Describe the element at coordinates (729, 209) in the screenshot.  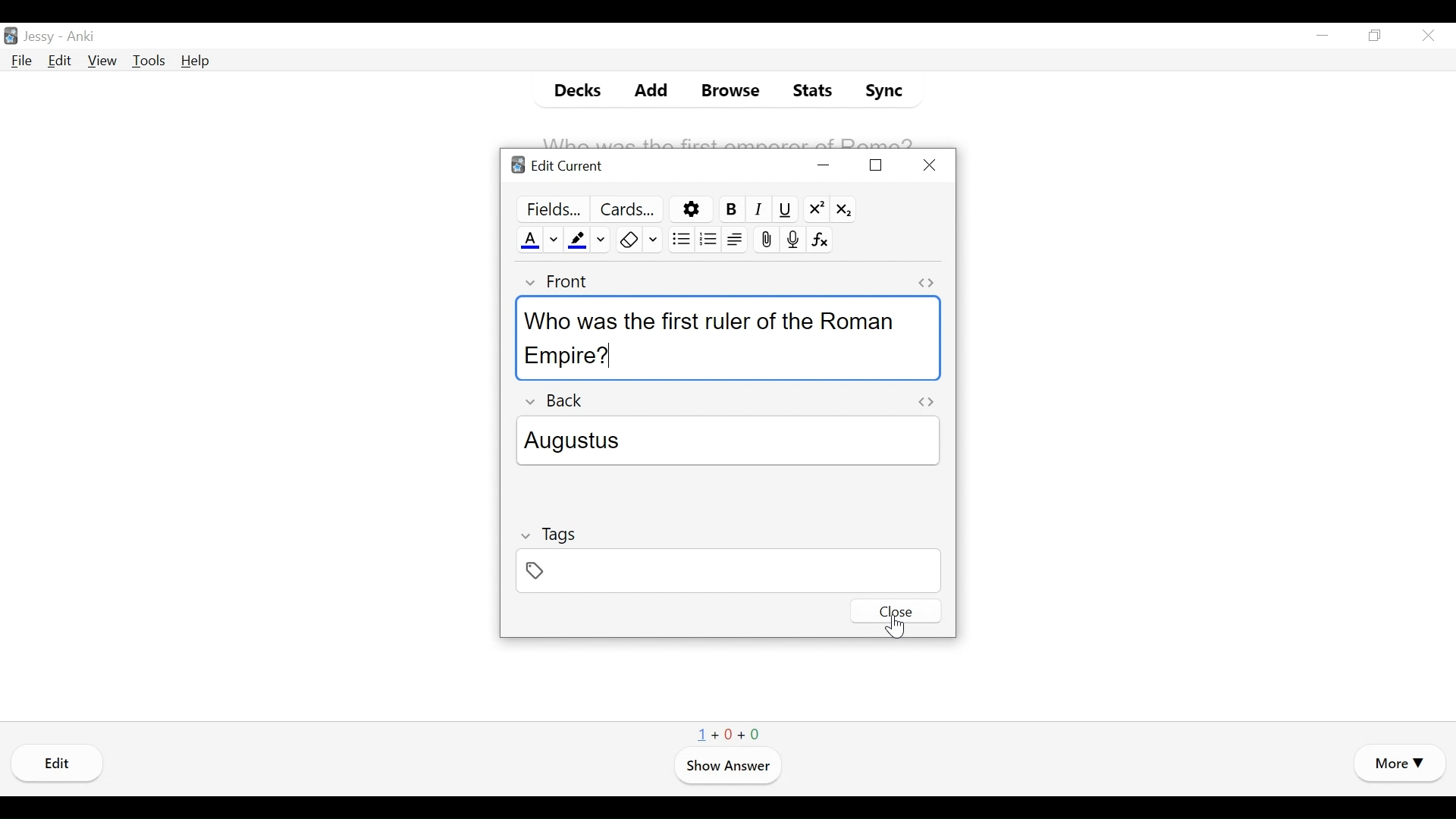
I see `Bold Selected Text` at that location.